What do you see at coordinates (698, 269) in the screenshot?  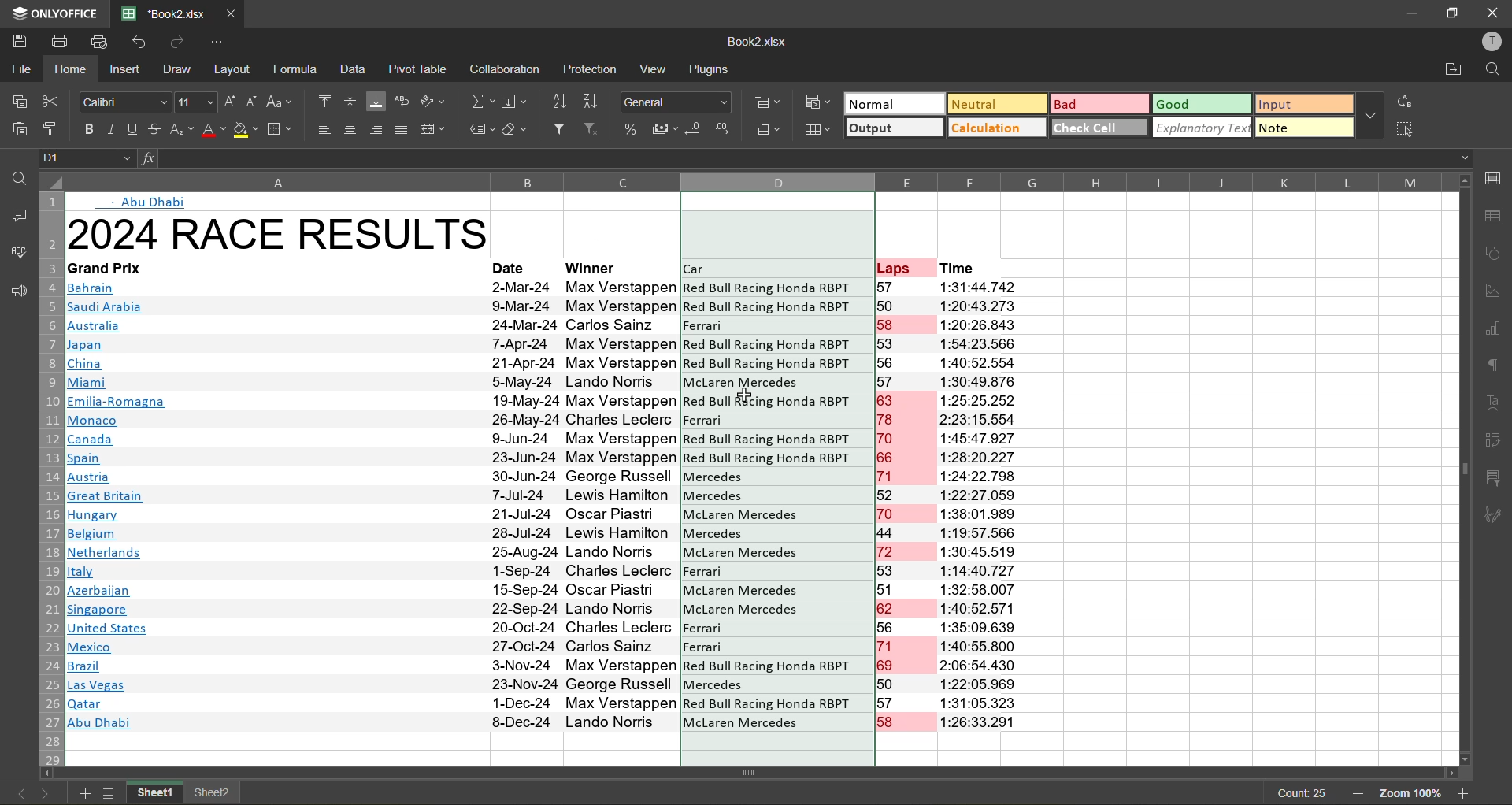 I see `Car` at bounding box center [698, 269].